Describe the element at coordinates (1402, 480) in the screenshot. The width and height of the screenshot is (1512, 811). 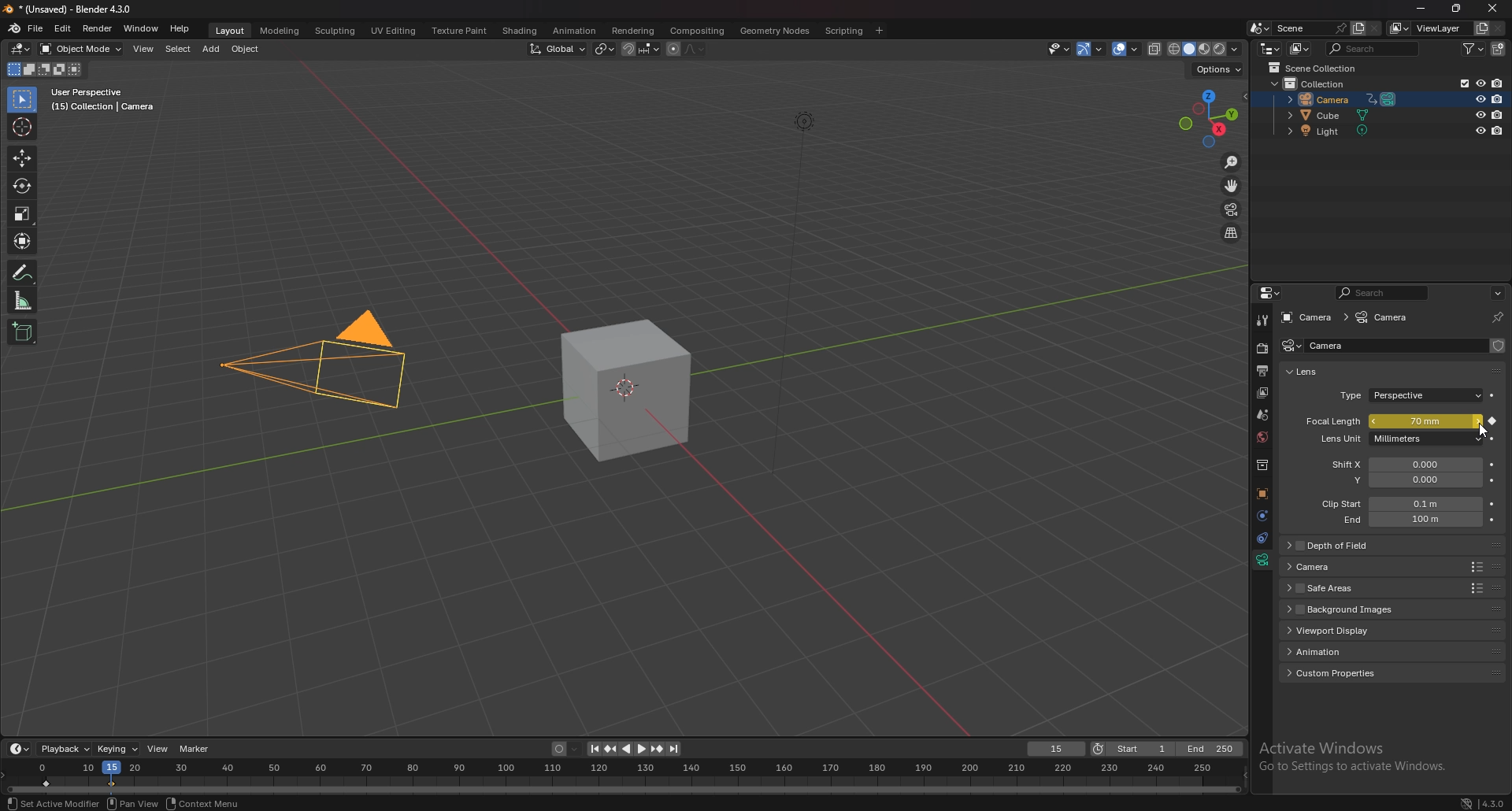
I see `shift y` at that location.